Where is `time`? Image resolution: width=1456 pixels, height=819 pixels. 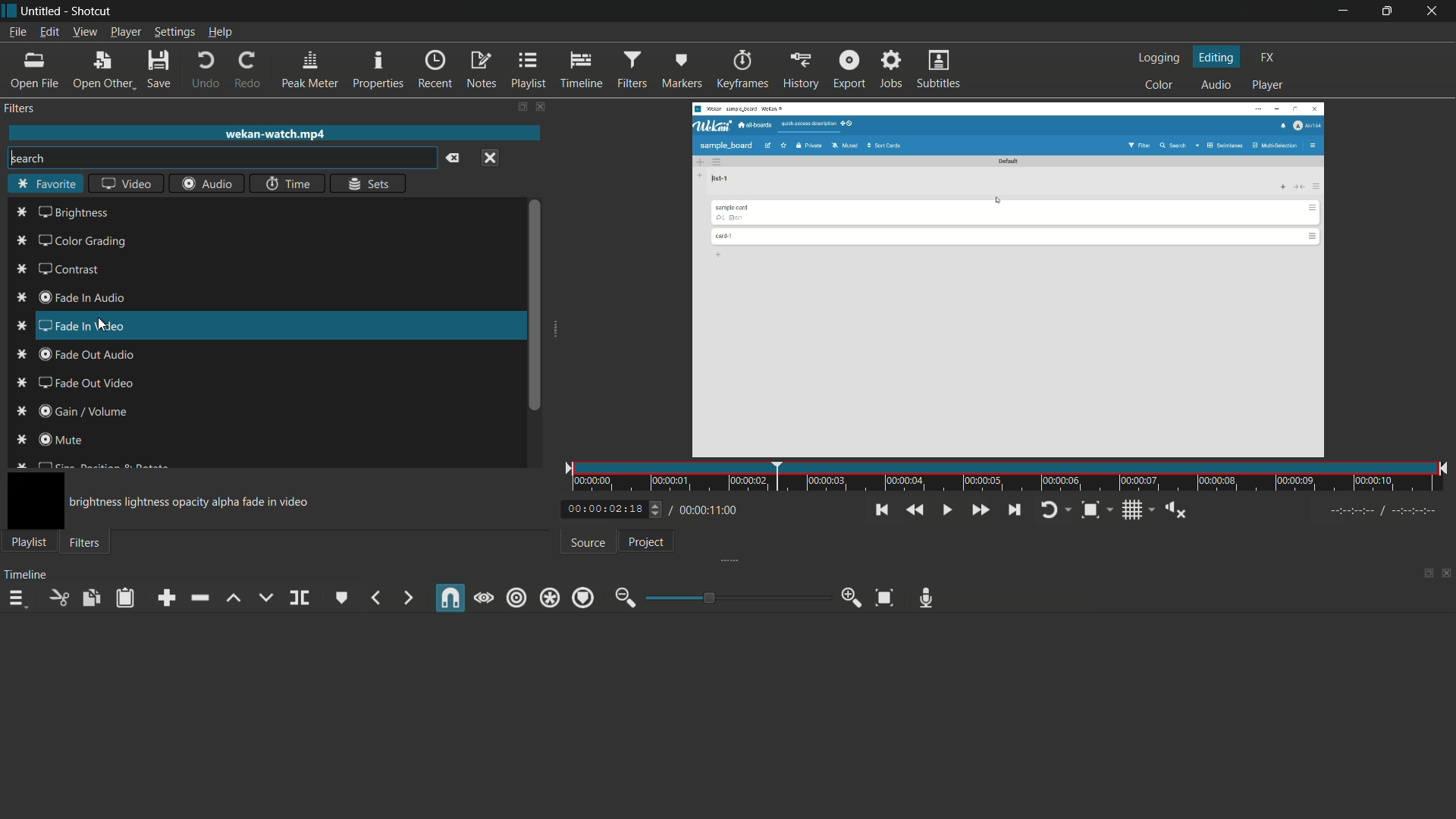
time is located at coordinates (290, 183).